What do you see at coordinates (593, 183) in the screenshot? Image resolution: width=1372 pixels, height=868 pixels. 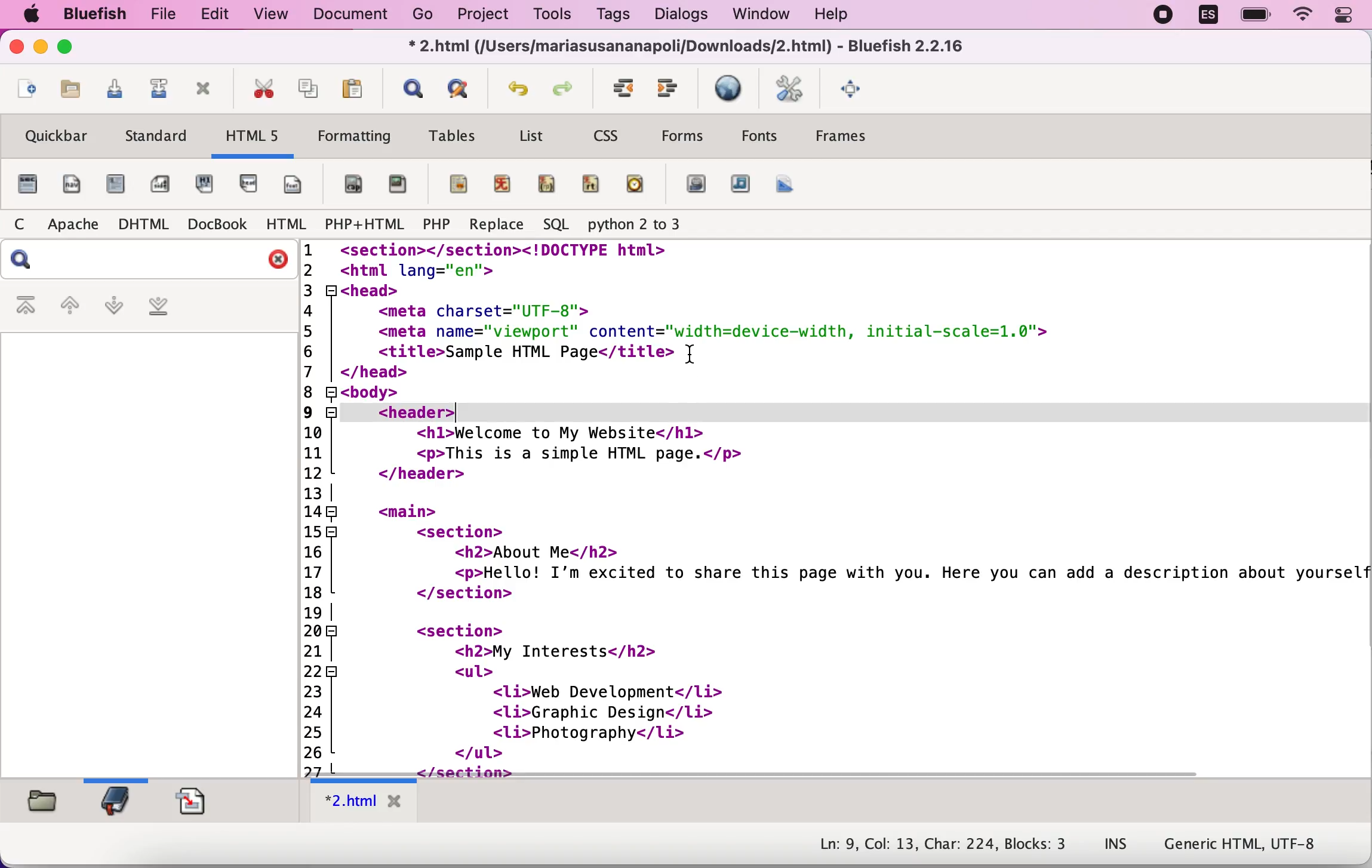 I see `ruby text` at bounding box center [593, 183].